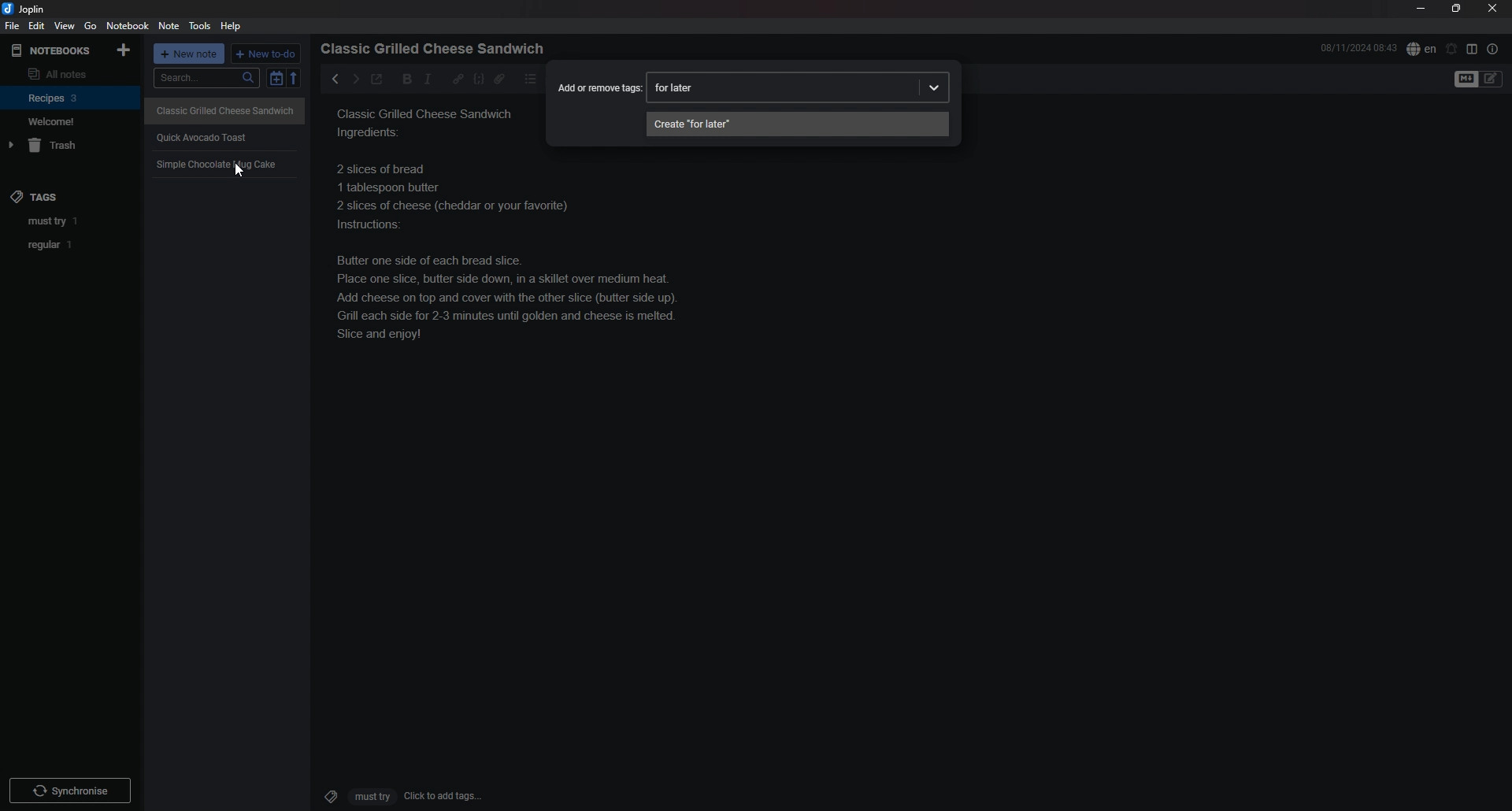  What do you see at coordinates (169, 27) in the screenshot?
I see `note` at bounding box center [169, 27].